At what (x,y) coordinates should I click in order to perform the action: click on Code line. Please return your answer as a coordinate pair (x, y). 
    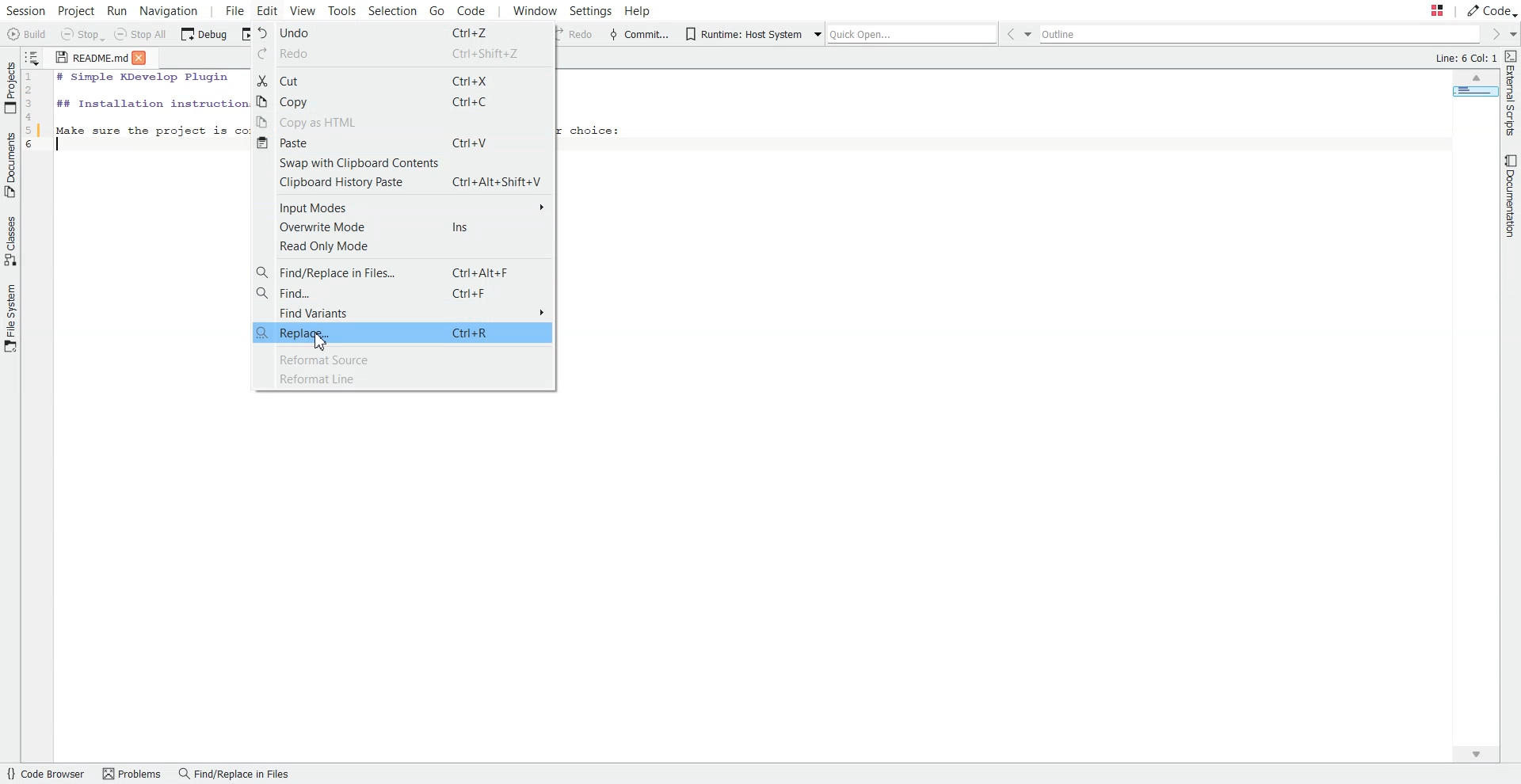
    Looking at the image, I should click on (35, 114).